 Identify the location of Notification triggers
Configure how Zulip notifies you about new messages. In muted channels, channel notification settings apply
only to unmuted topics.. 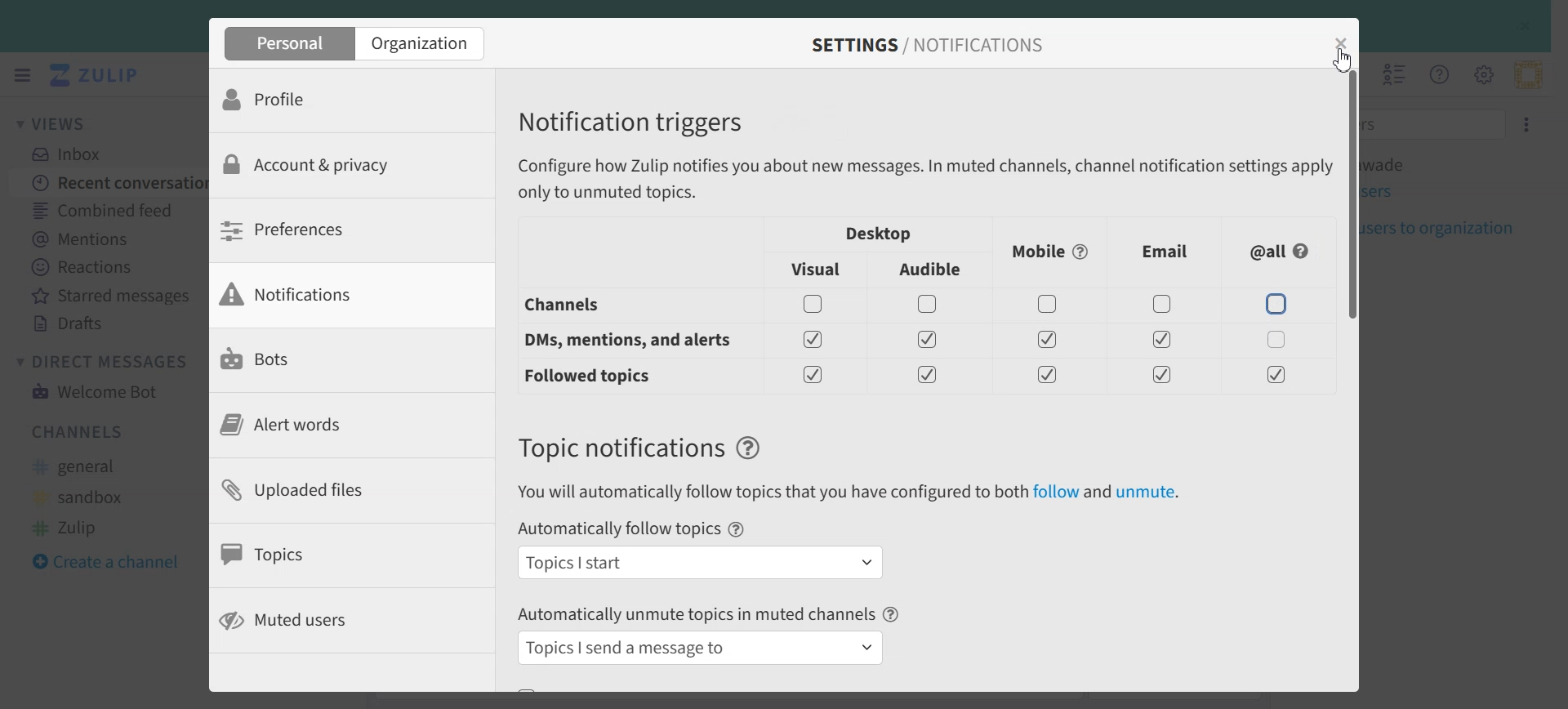
(920, 155).